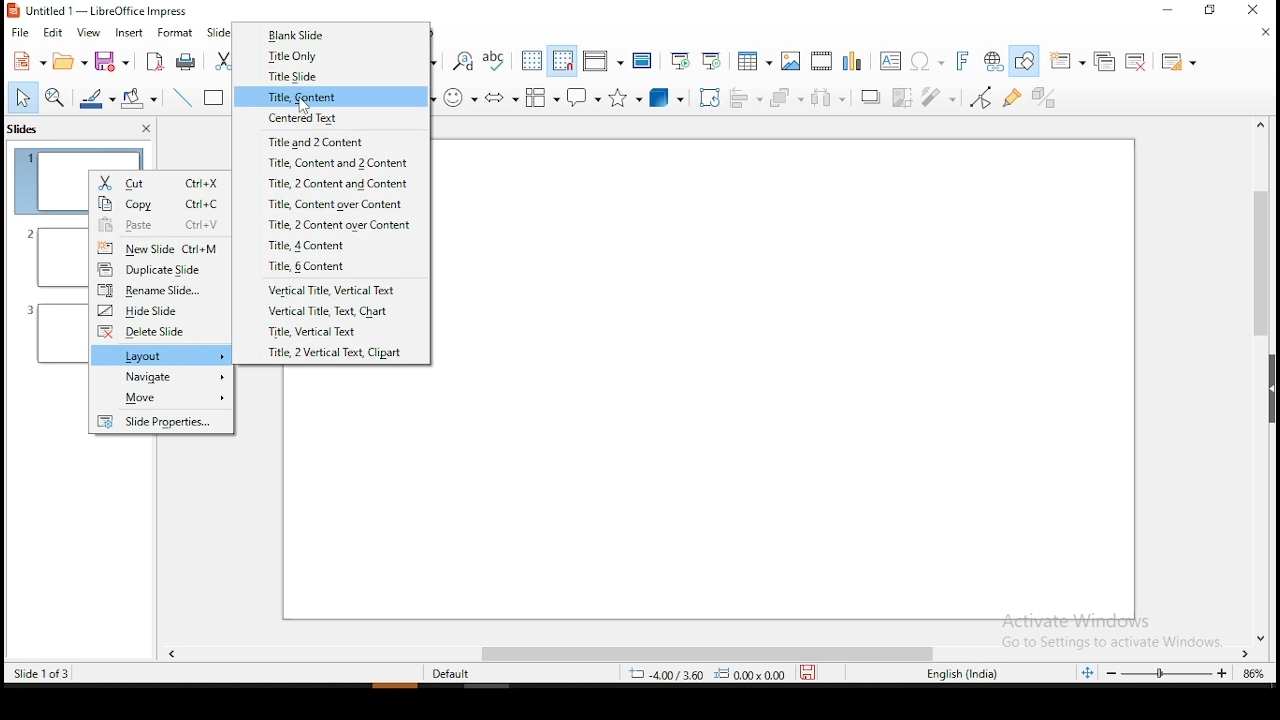  What do you see at coordinates (162, 421) in the screenshot?
I see `slide` at bounding box center [162, 421].